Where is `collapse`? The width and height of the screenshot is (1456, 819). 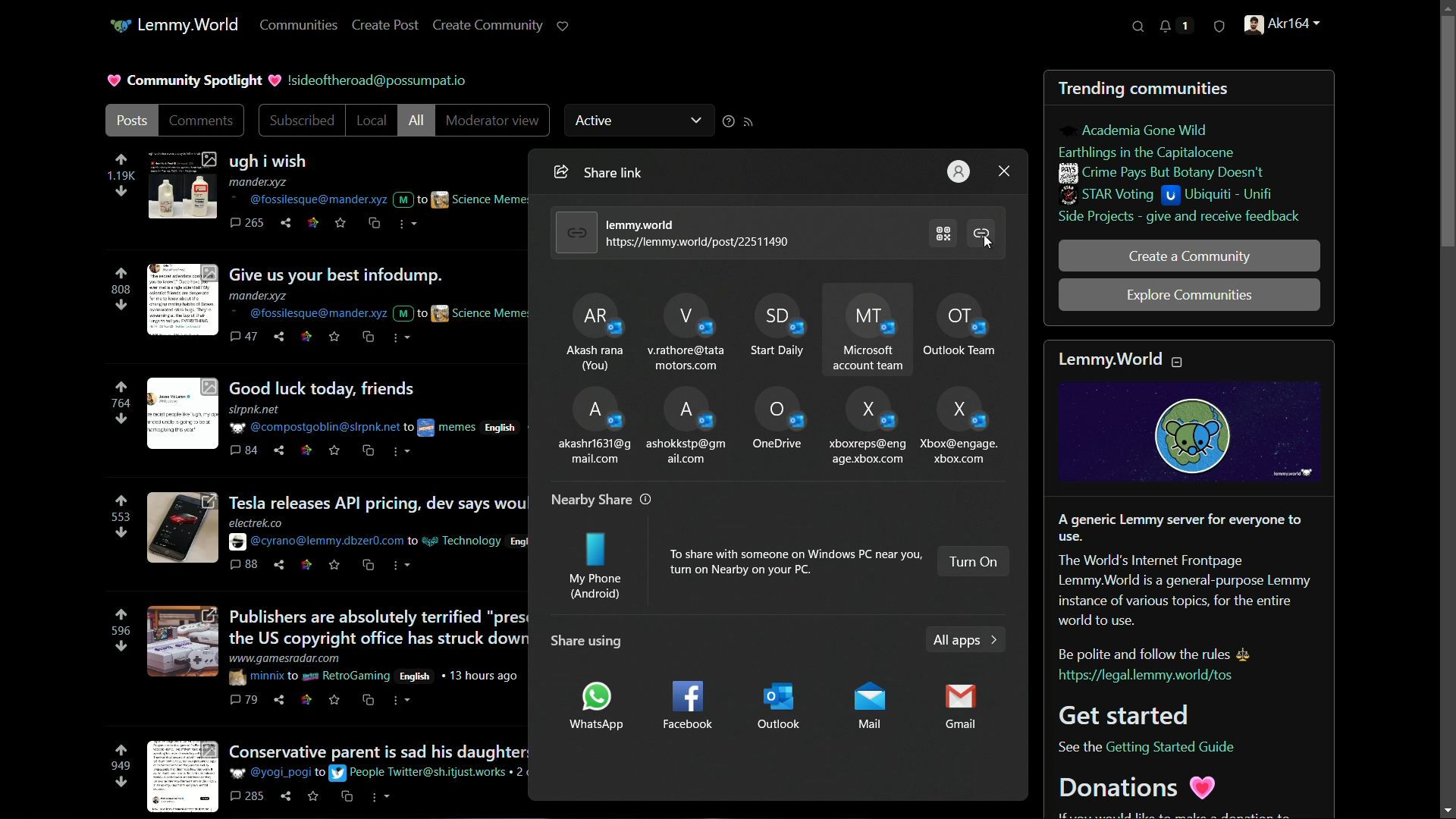 collapse is located at coordinates (1178, 361).